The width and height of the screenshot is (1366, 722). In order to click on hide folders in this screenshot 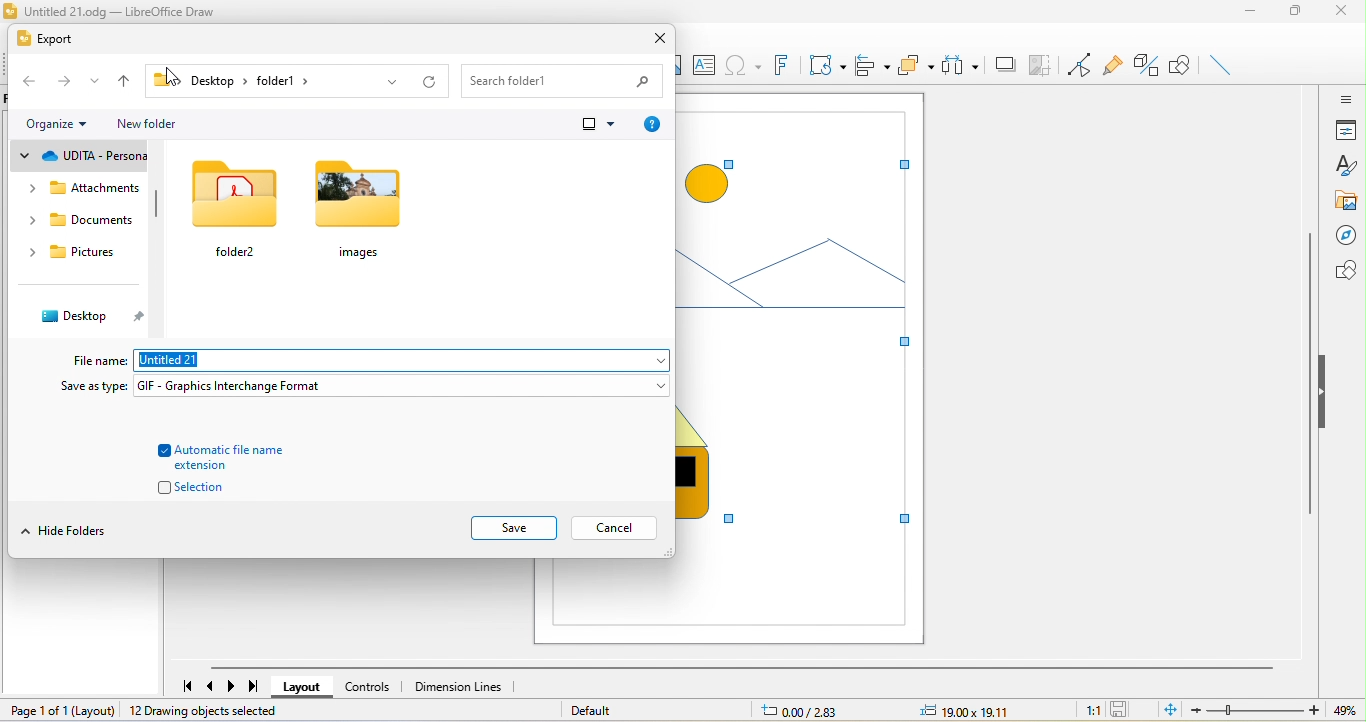, I will do `click(71, 530)`.